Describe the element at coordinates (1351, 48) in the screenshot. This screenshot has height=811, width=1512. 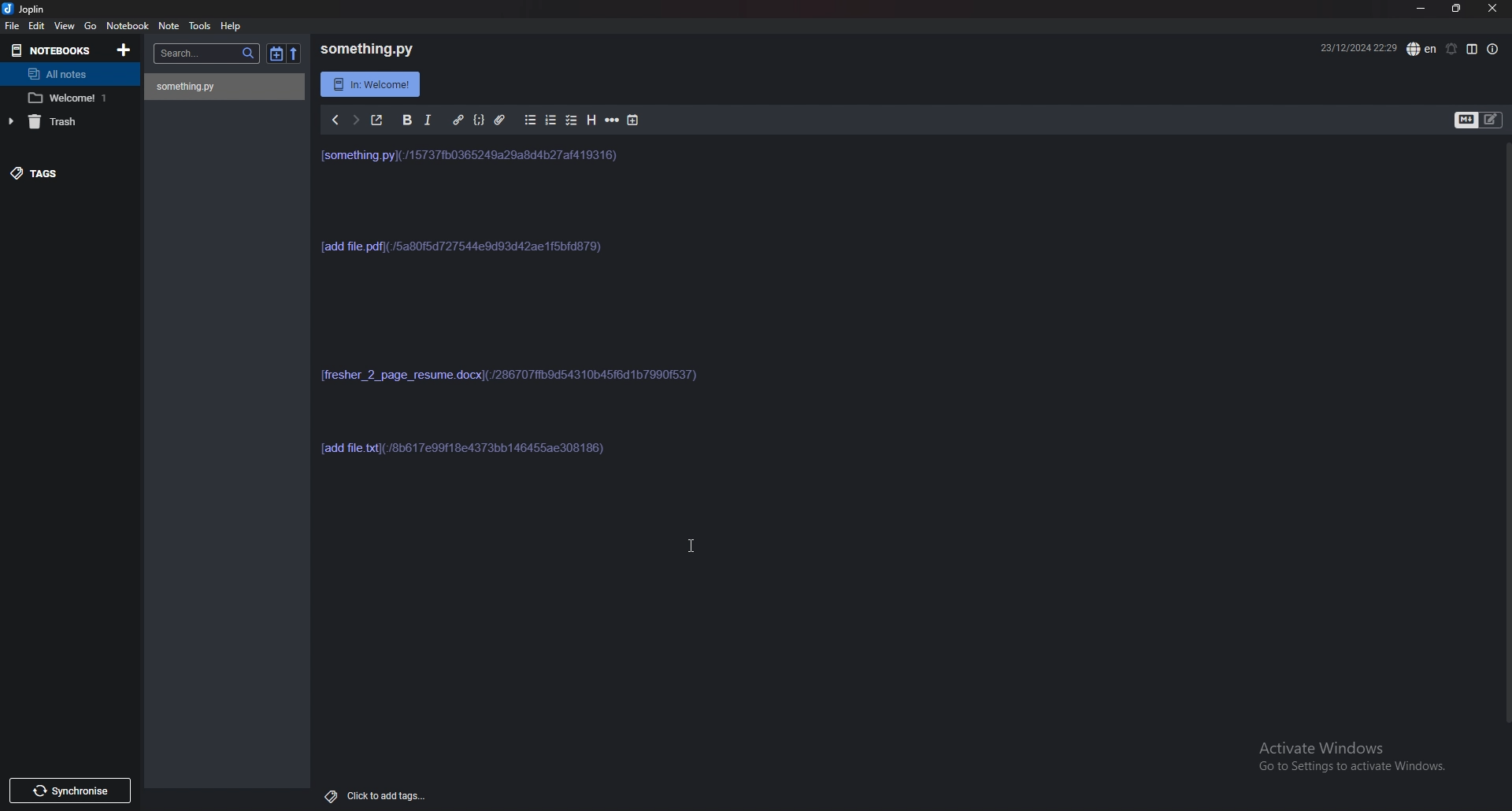
I see `Time` at that location.